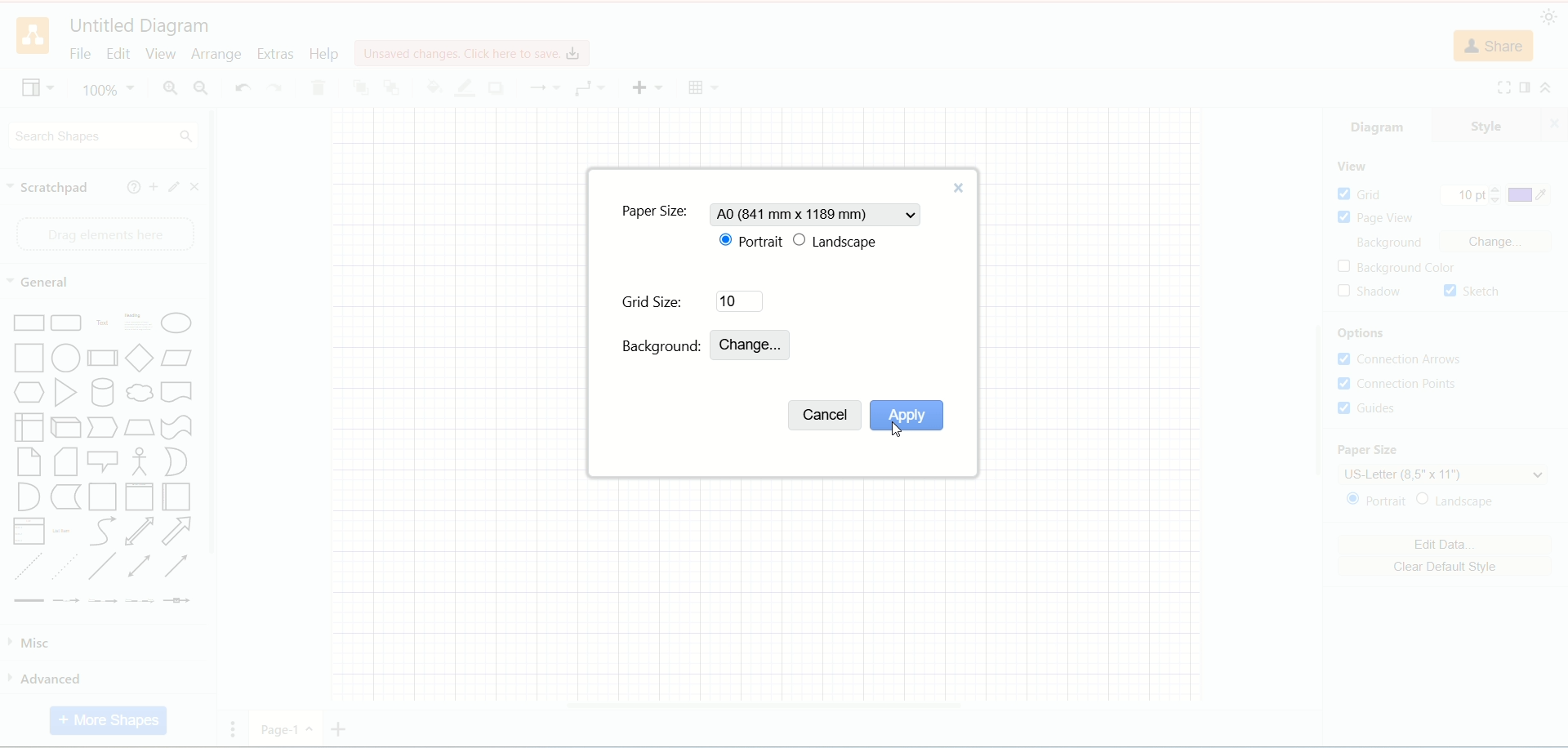  I want to click on view, so click(35, 90).